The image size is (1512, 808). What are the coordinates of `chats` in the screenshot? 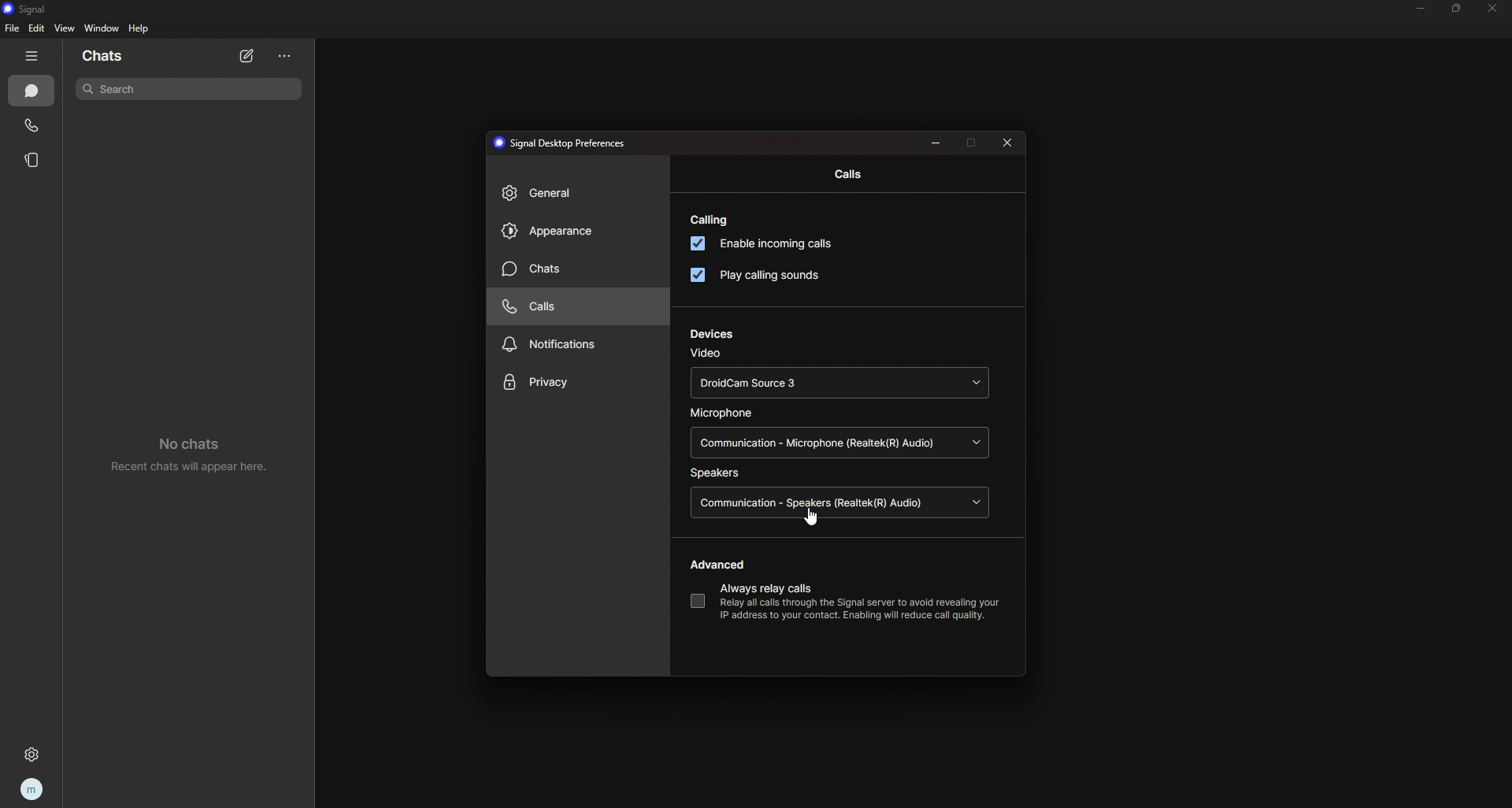 It's located at (107, 57).